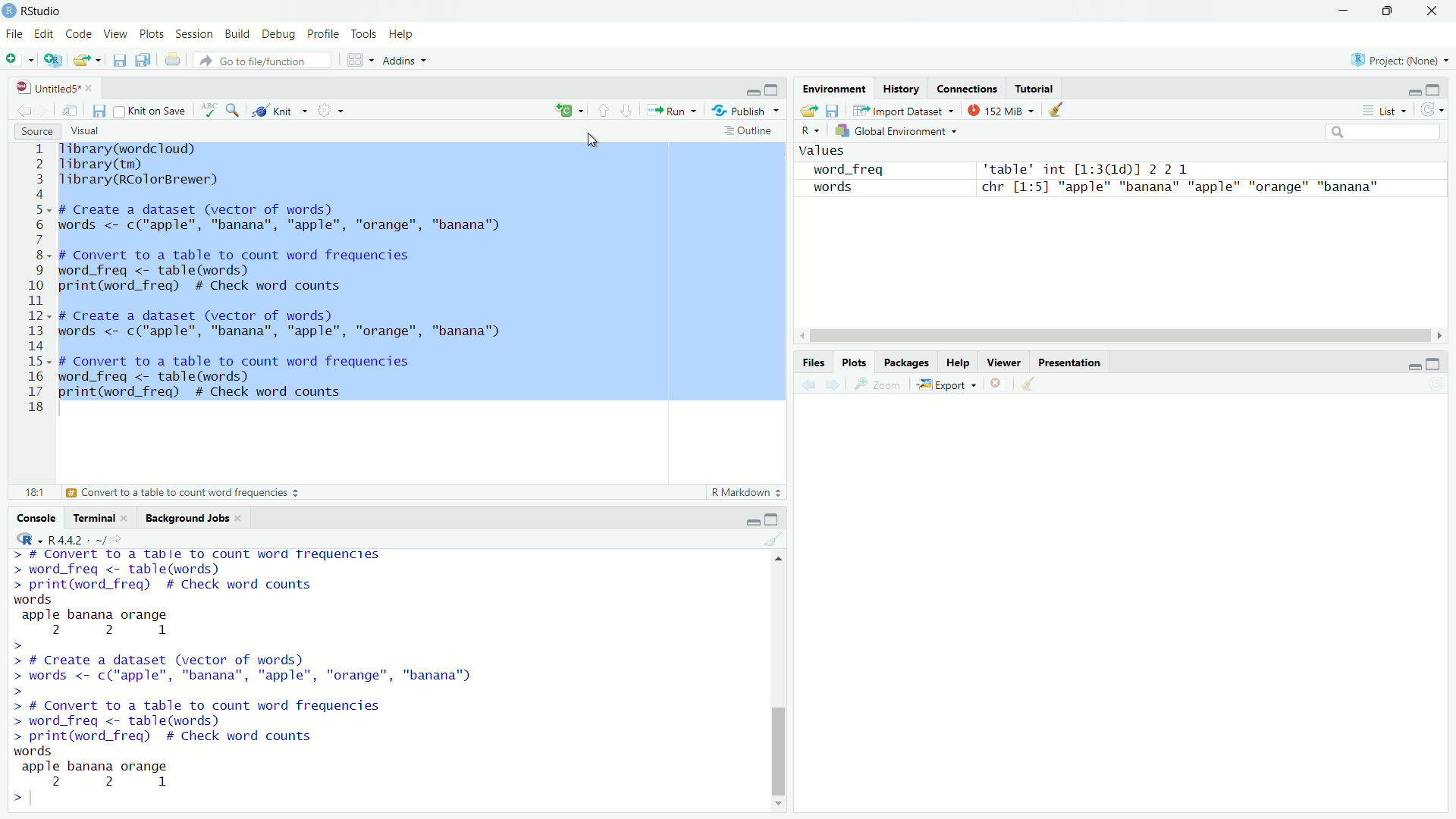 This screenshot has width=1456, height=819. Describe the element at coordinates (35, 131) in the screenshot. I see `Source` at that location.